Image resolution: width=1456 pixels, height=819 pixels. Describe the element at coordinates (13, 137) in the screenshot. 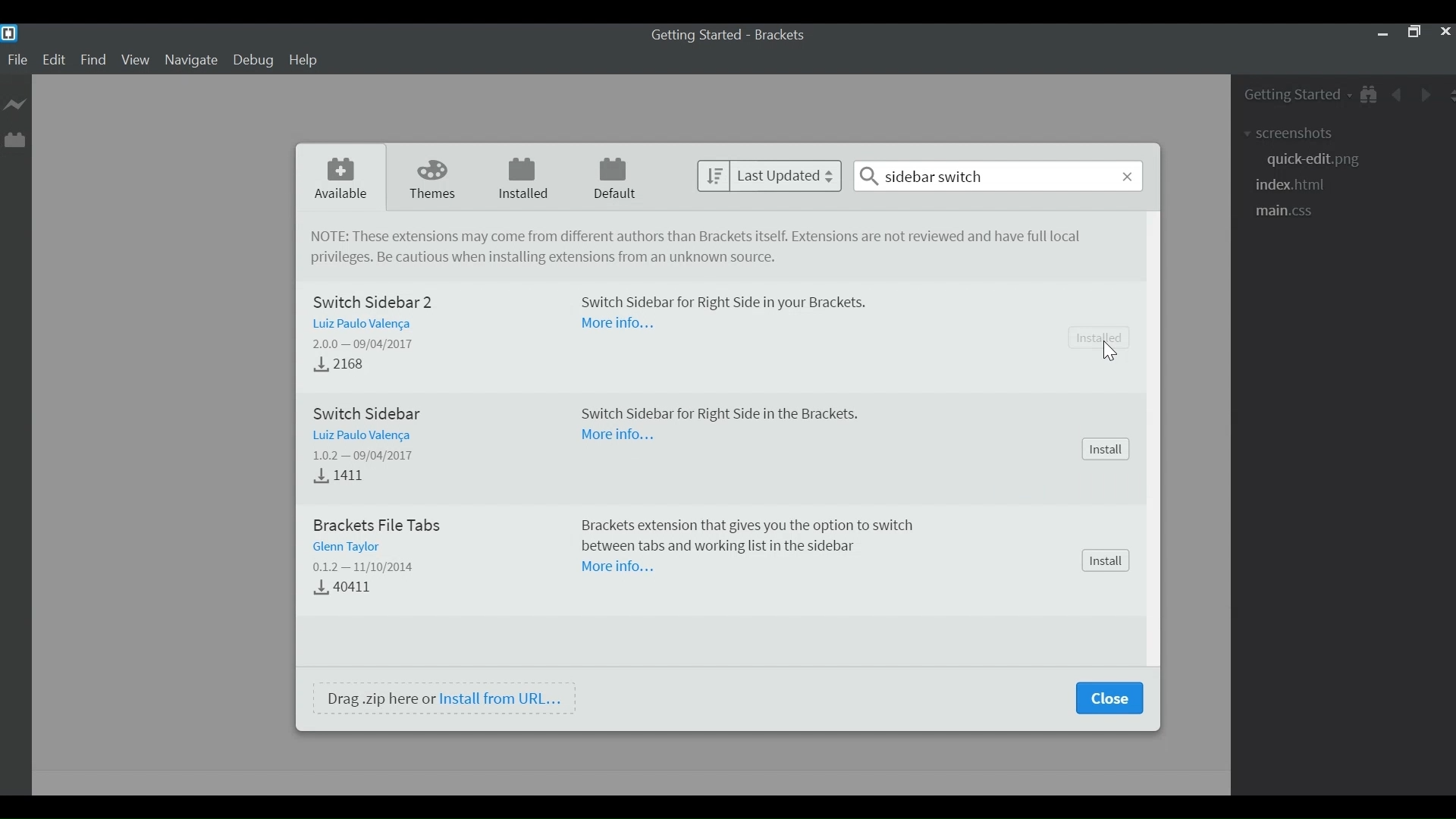

I see `Manage Extensions` at that location.